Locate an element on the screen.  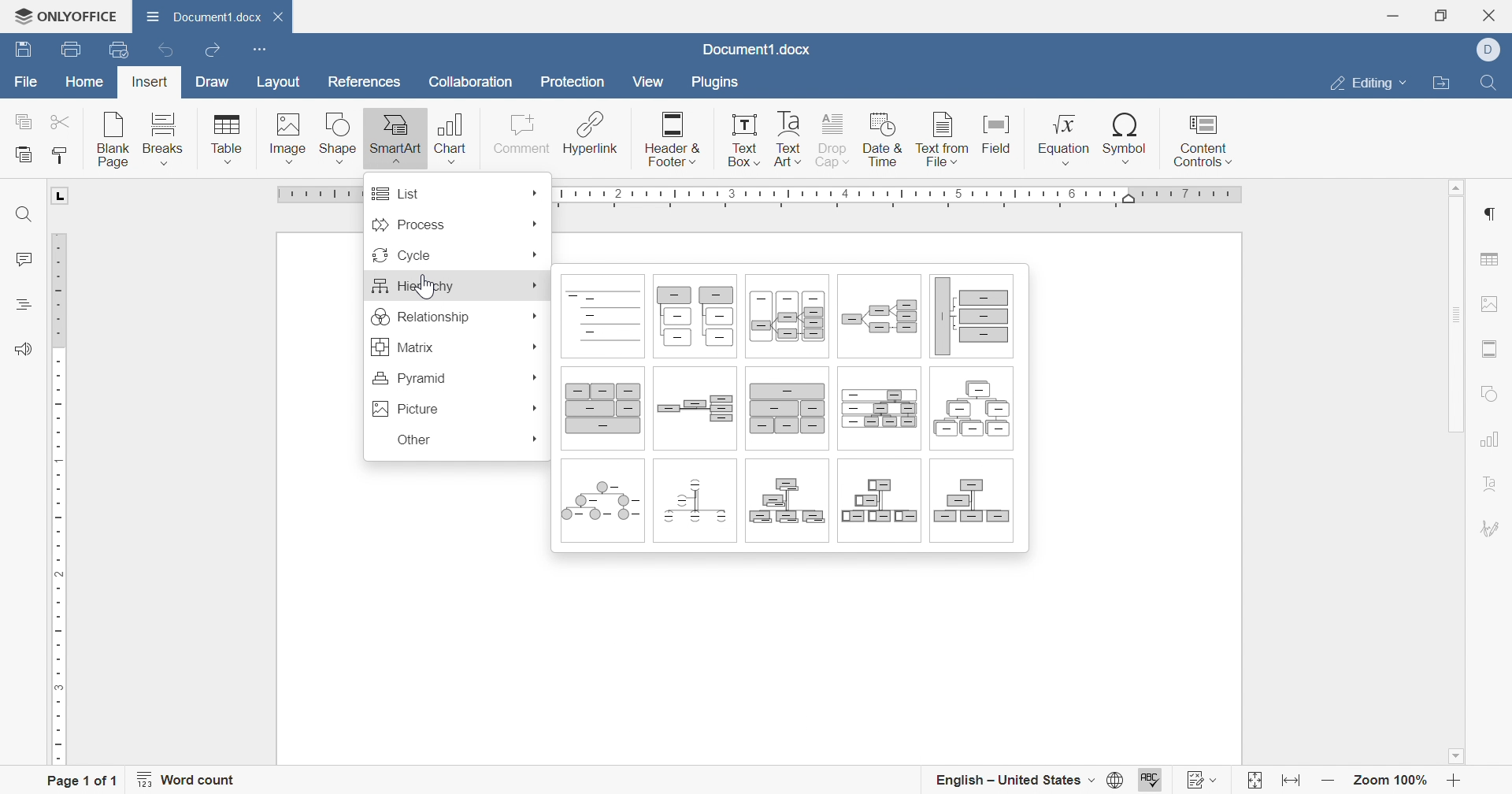
Draw is located at coordinates (210, 82).